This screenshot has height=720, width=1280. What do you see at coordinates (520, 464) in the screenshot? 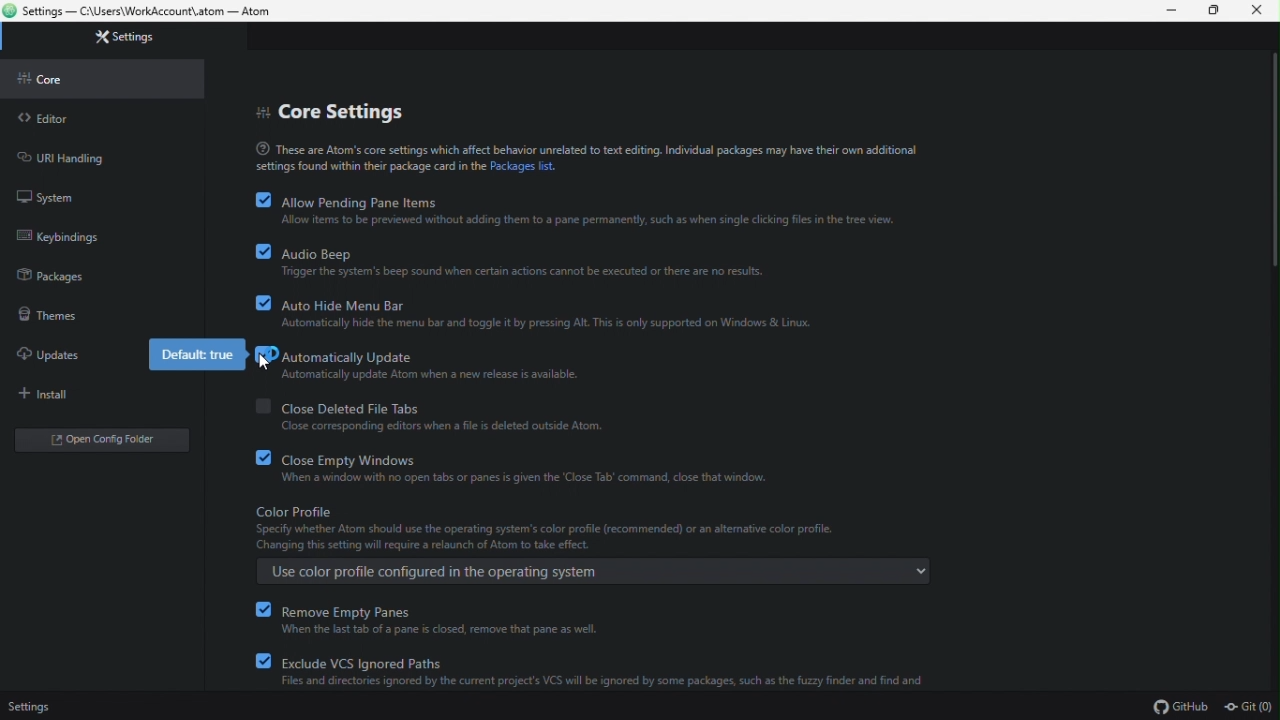
I see `close empty windows` at bounding box center [520, 464].